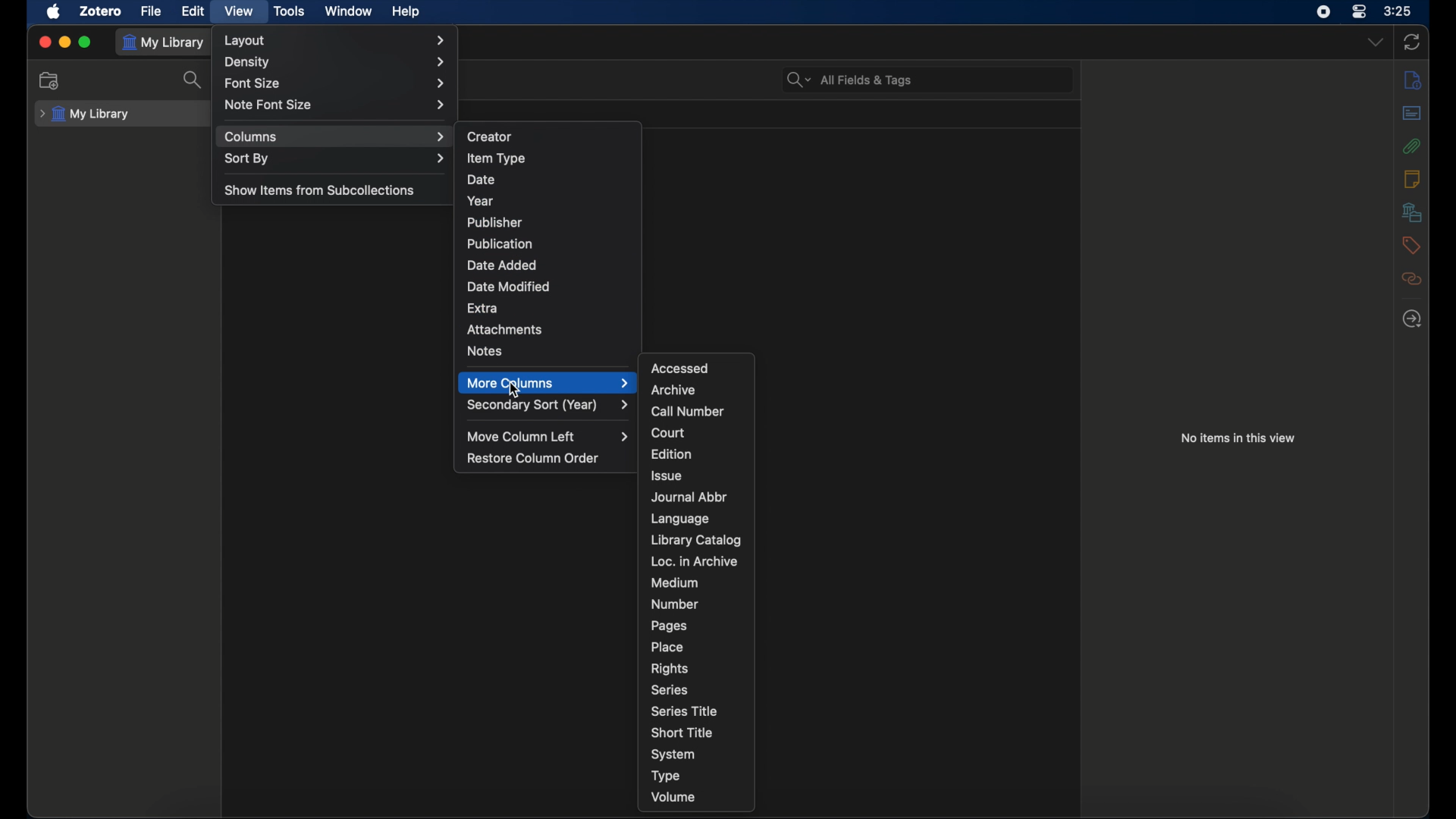  What do you see at coordinates (484, 351) in the screenshot?
I see `notes` at bounding box center [484, 351].